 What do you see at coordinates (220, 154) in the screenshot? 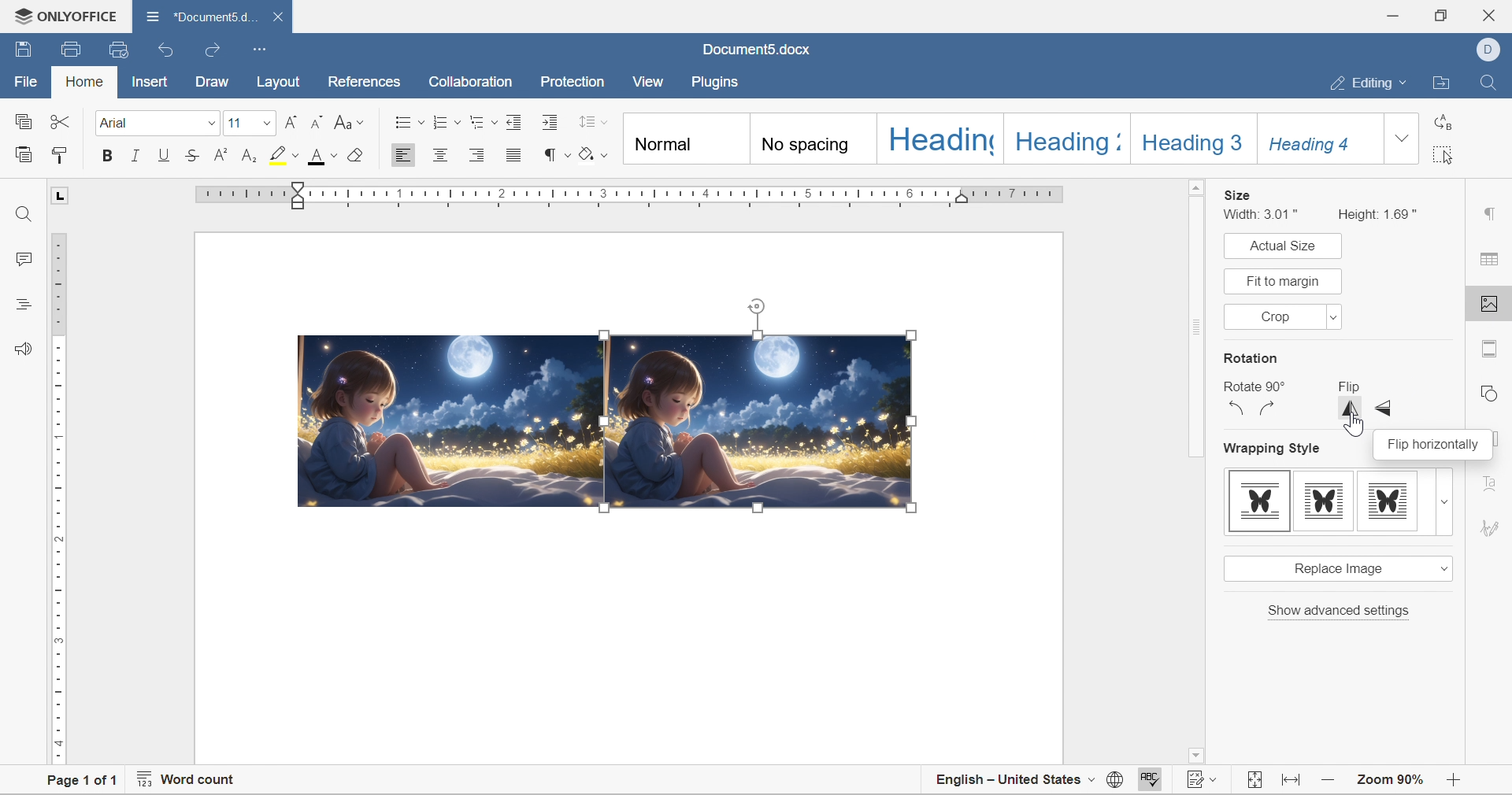
I see `superscript` at bounding box center [220, 154].